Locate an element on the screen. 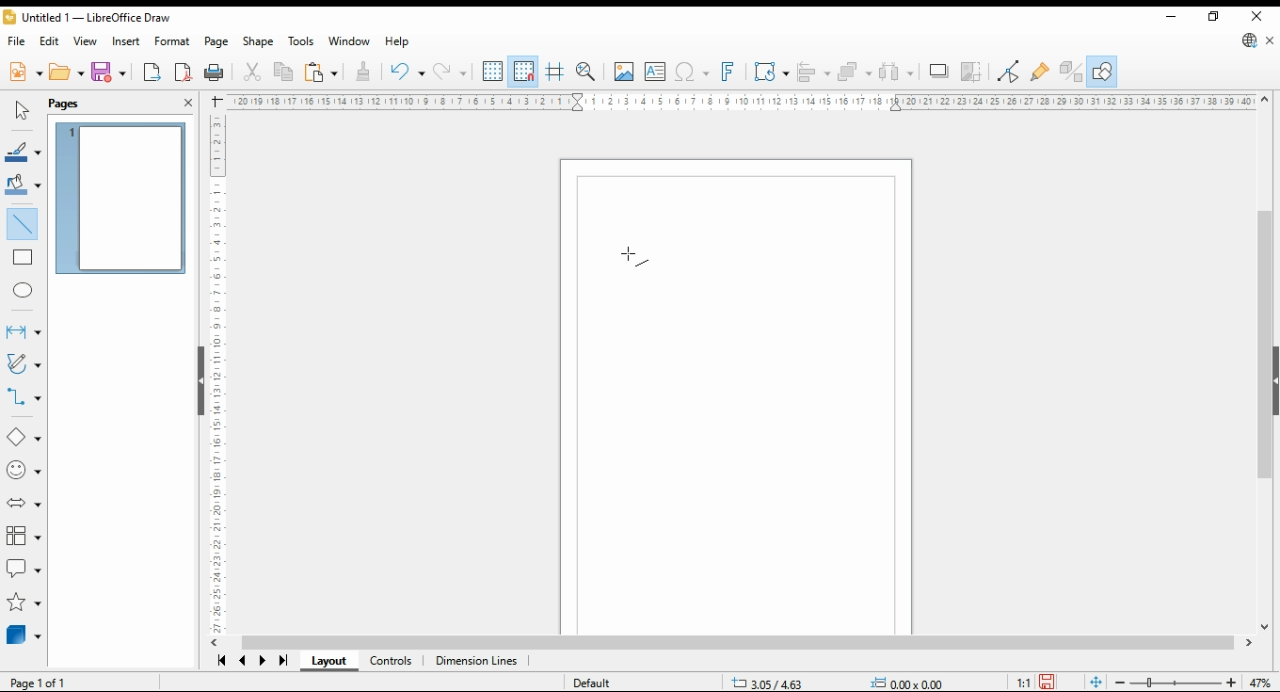  crop is located at coordinates (972, 71).